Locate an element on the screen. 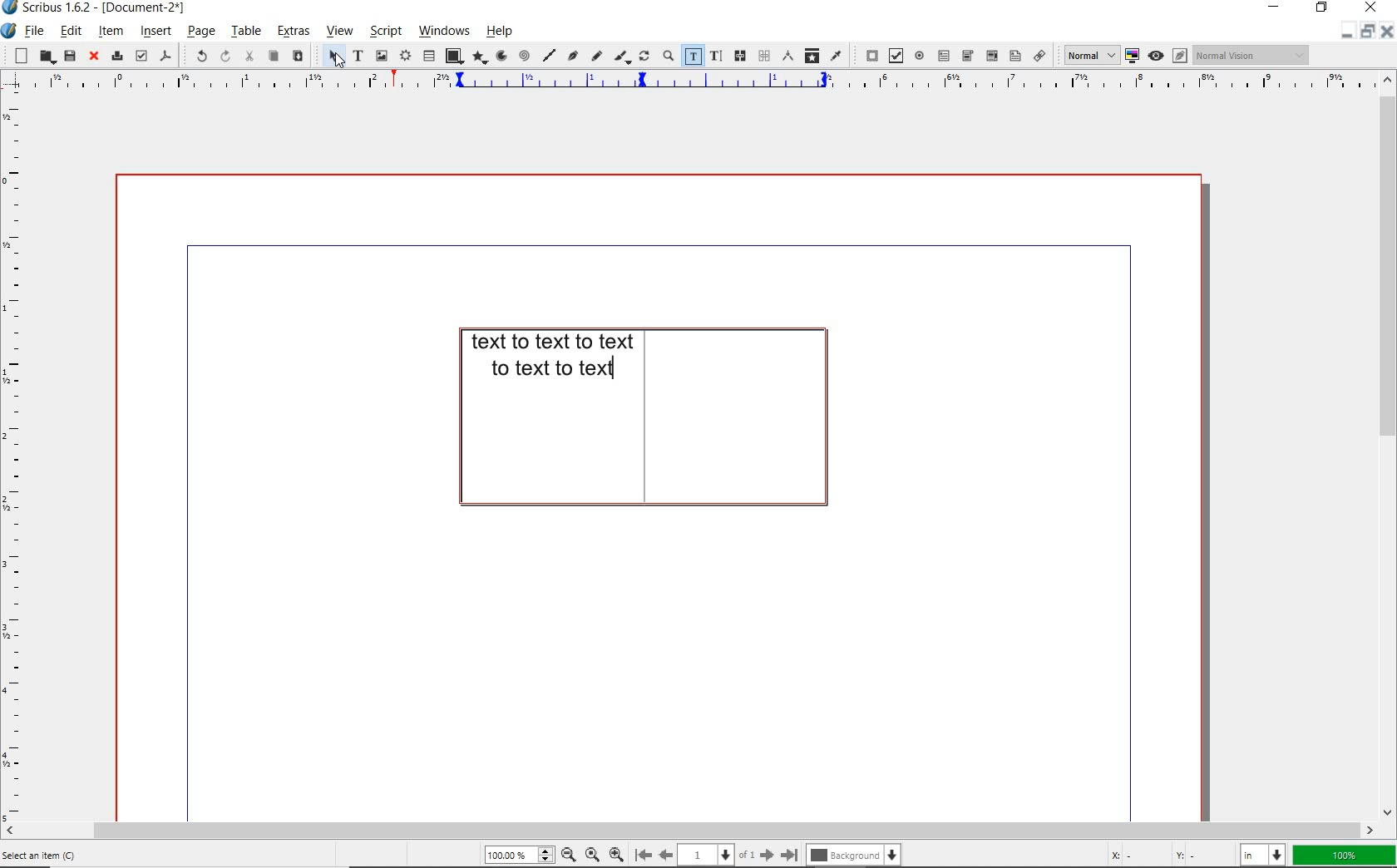  pdf radio button is located at coordinates (919, 56).